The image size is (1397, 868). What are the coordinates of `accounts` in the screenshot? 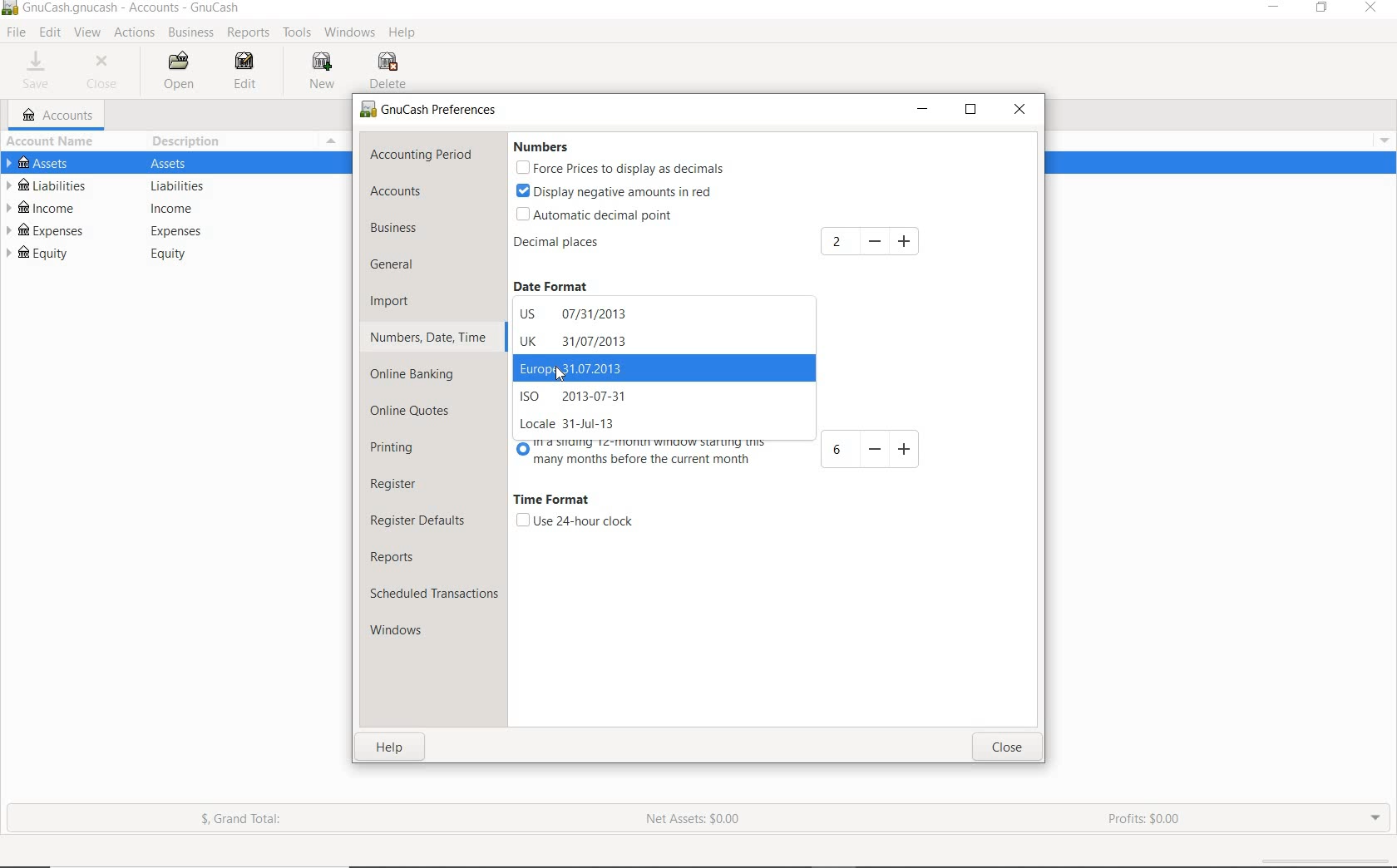 It's located at (417, 193).